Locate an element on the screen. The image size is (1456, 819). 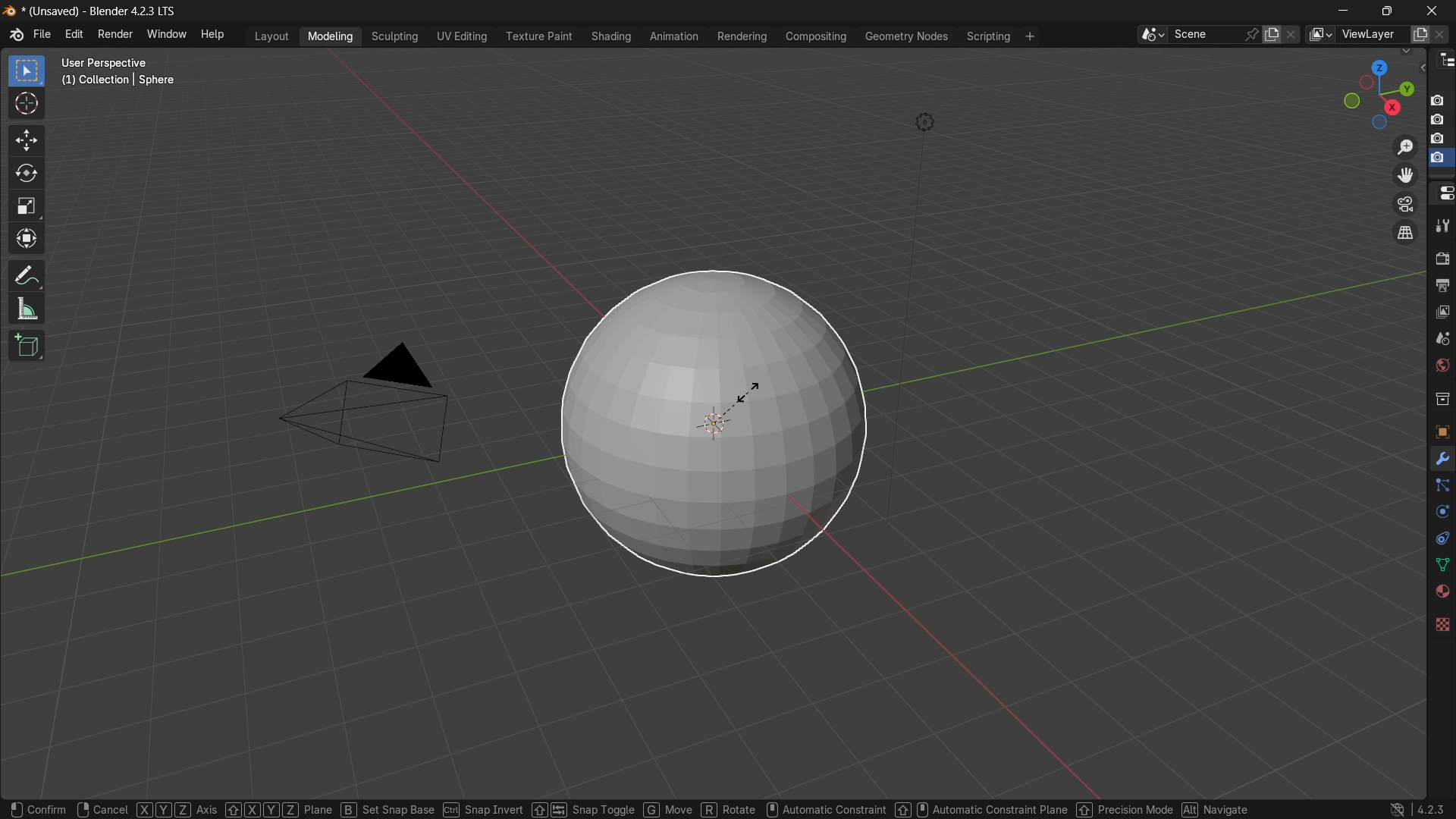
user perspective (1) collection | sphere is located at coordinates (121, 71).